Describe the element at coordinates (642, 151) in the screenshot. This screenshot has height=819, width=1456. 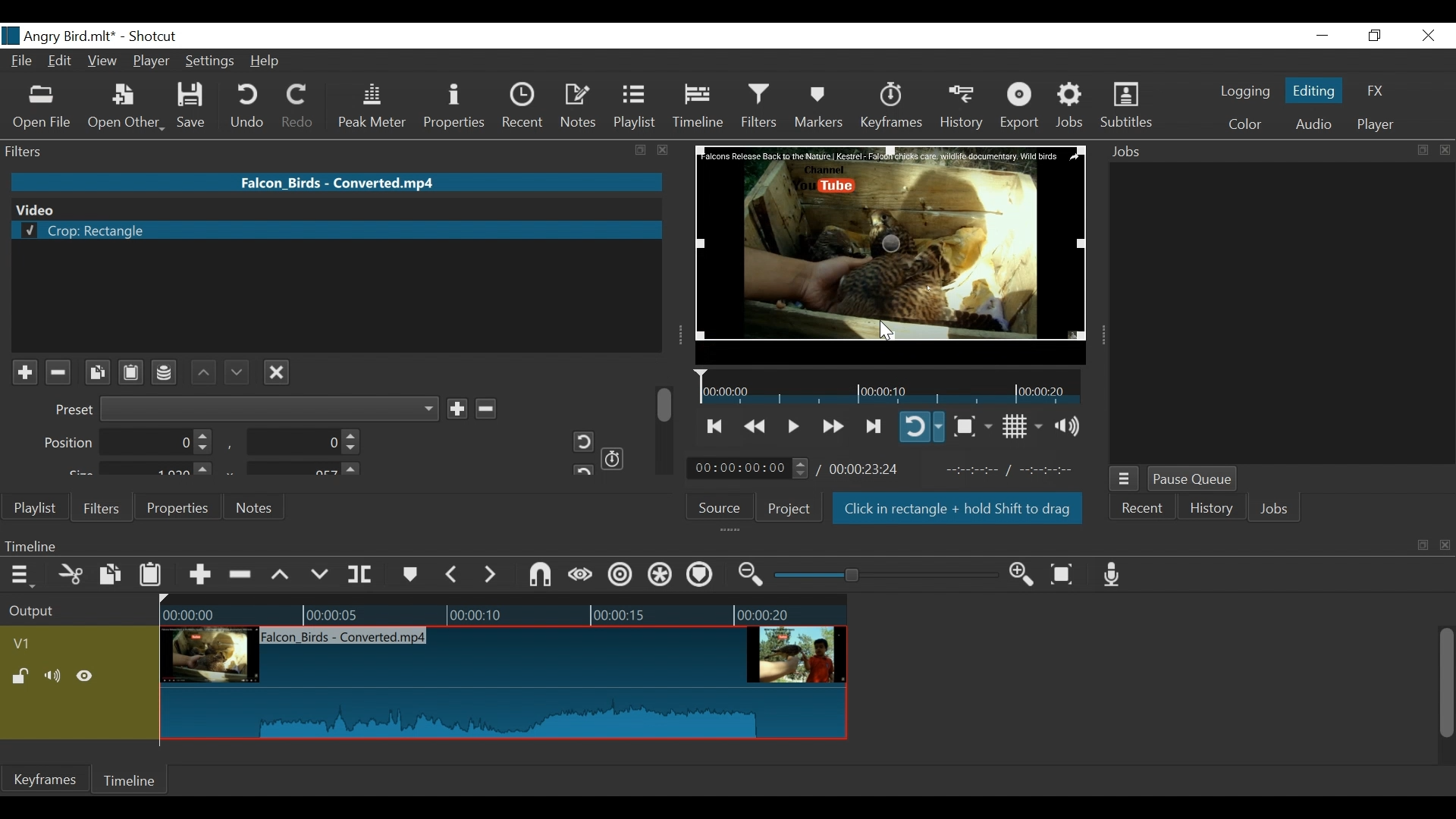
I see `copy` at that location.